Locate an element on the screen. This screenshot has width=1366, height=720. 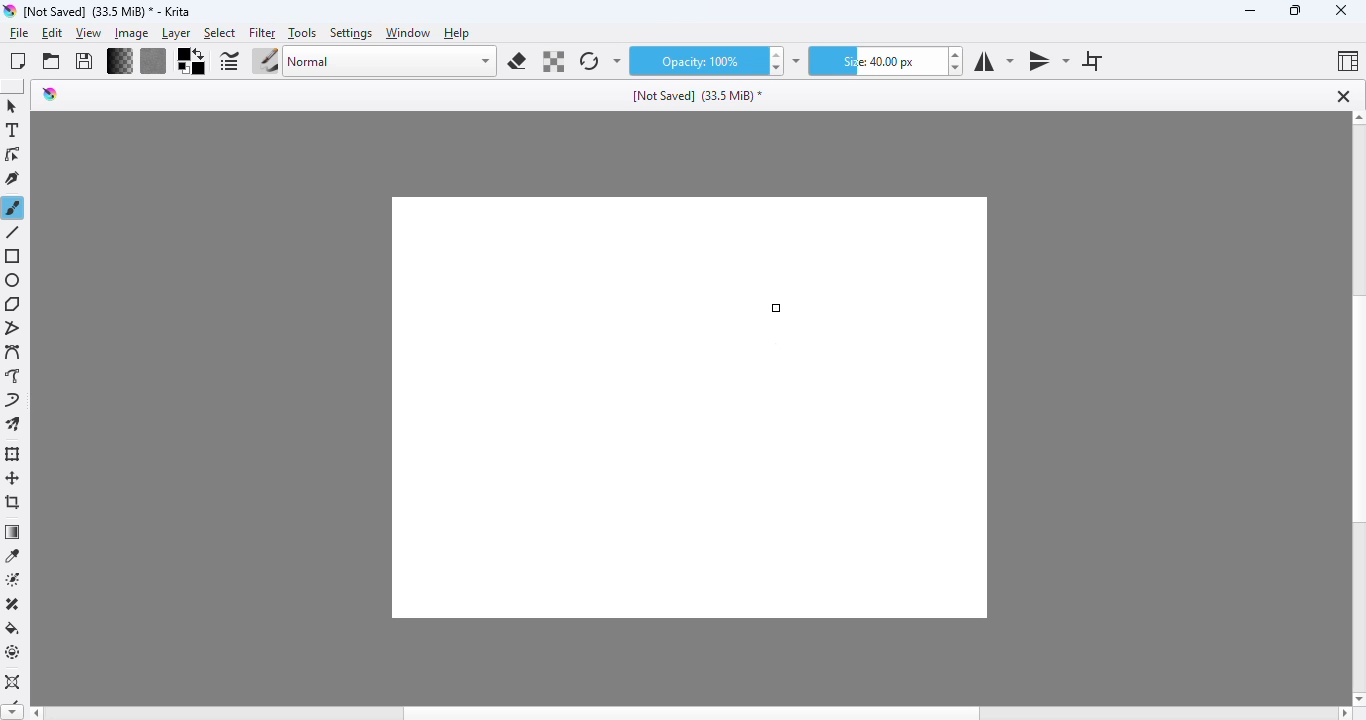
window is located at coordinates (409, 33).